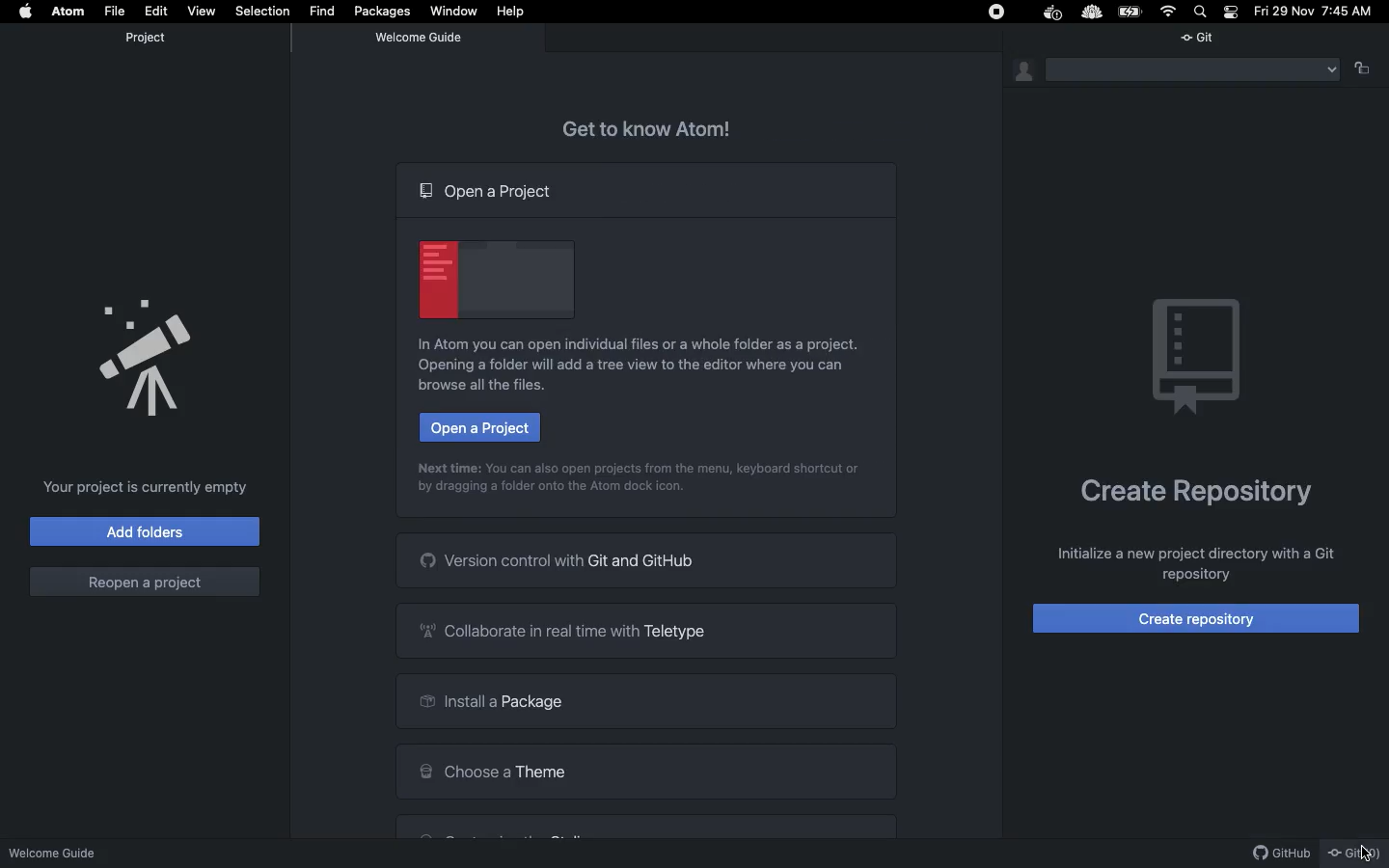  Describe the element at coordinates (144, 532) in the screenshot. I see `Add folders` at that location.